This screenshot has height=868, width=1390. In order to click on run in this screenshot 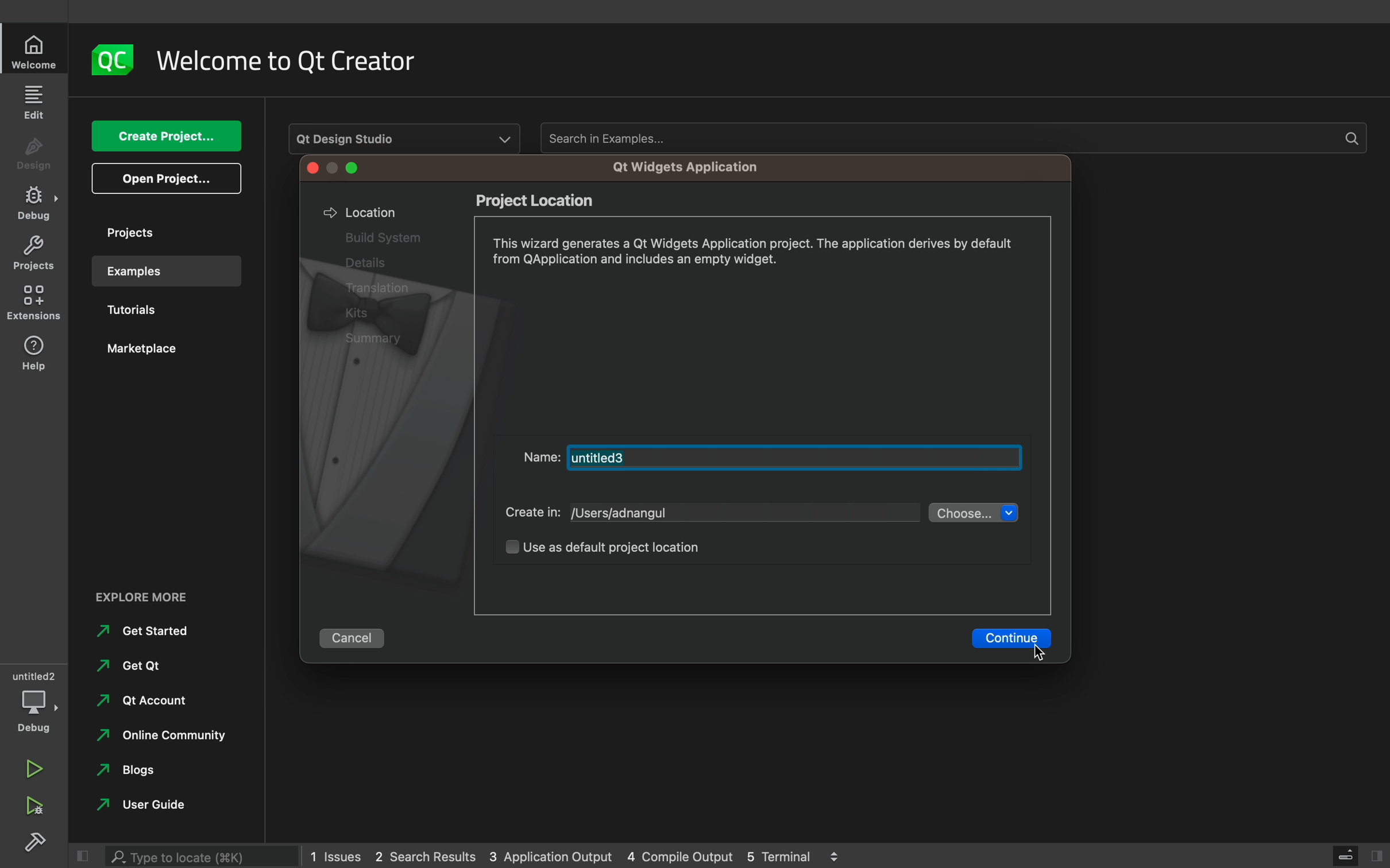, I will do `click(34, 764)`.